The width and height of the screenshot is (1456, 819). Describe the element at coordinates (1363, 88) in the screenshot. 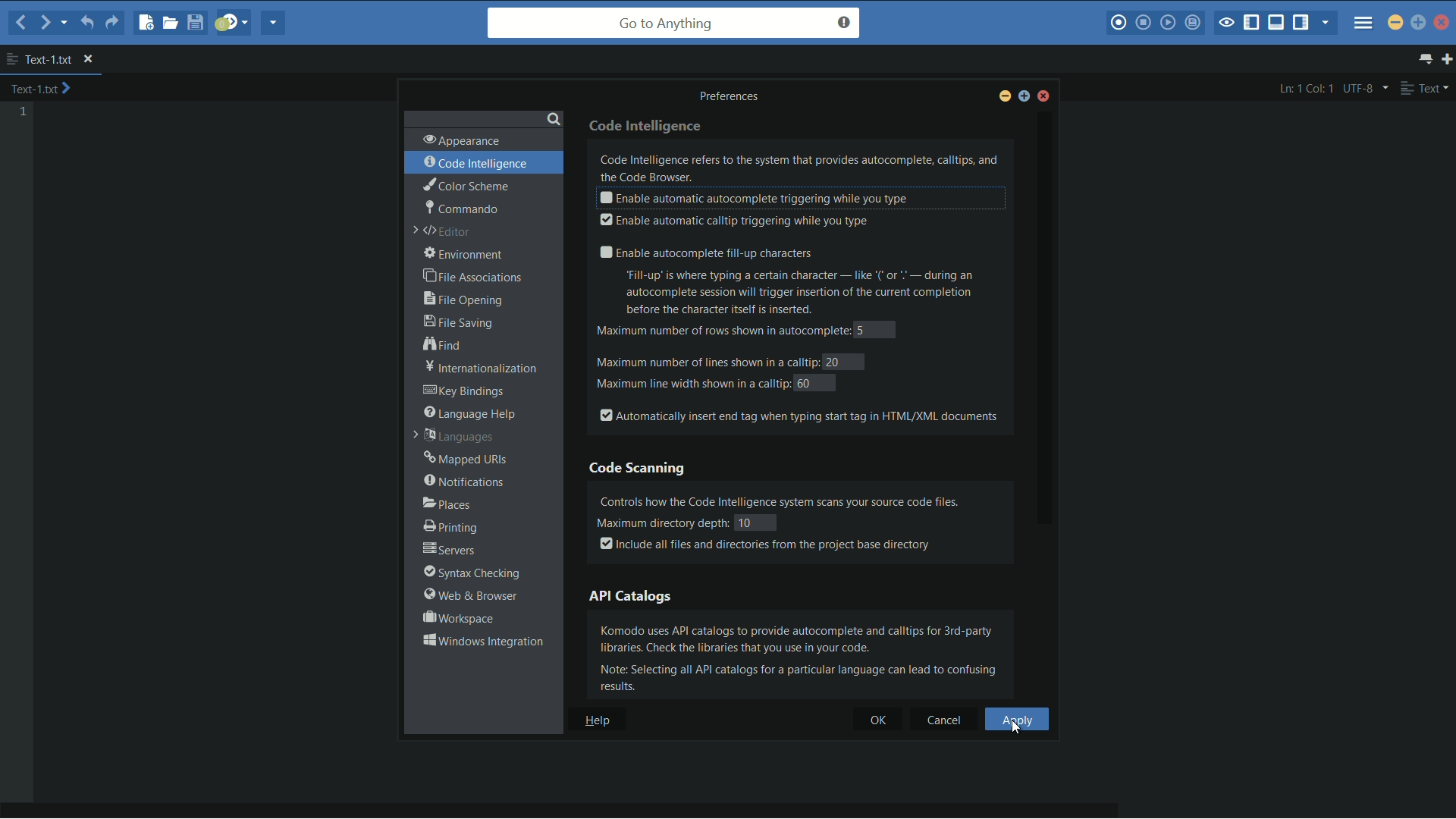

I see `UTF-8` at that location.